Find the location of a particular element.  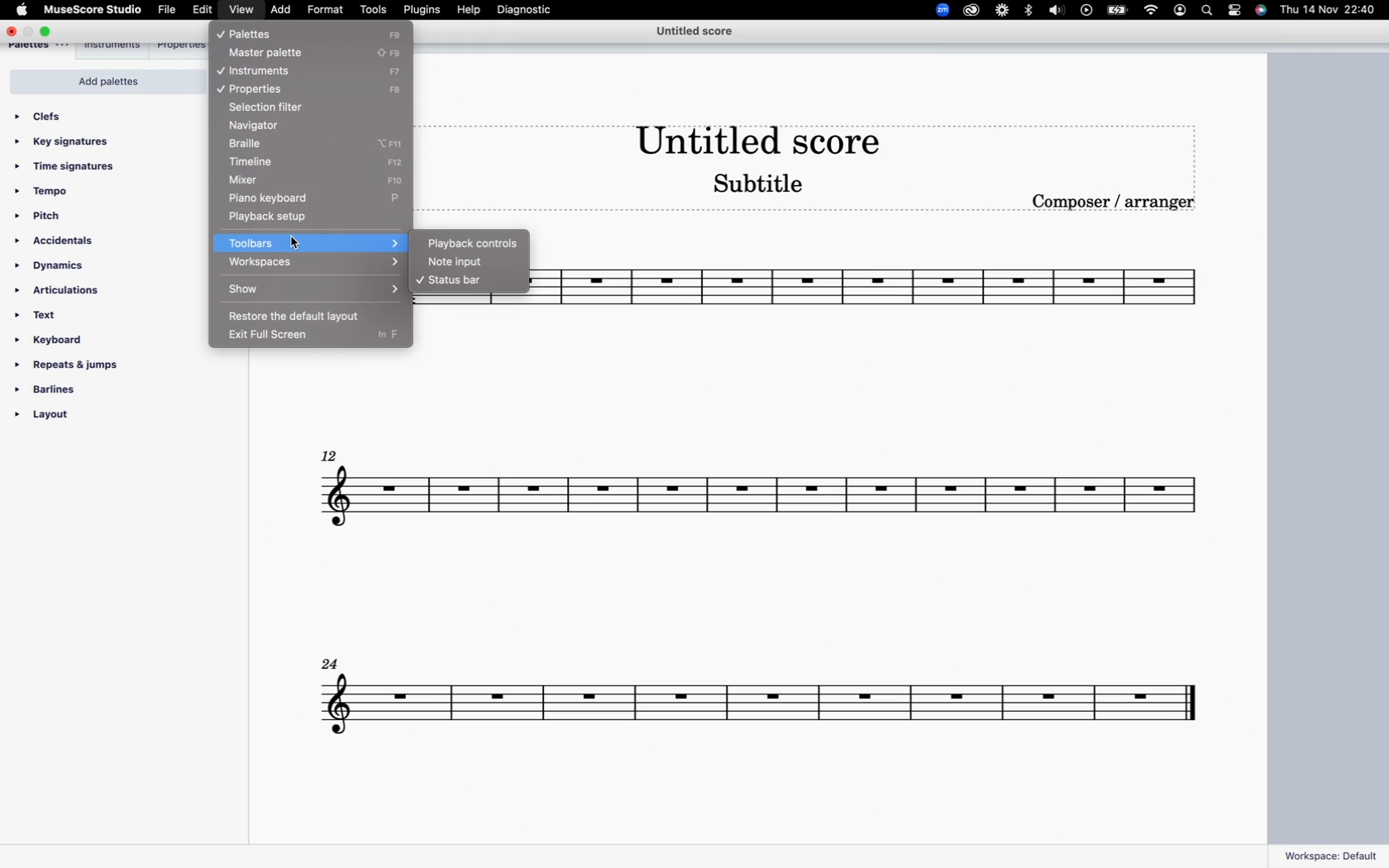

workspace: default is located at coordinates (1331, 851).